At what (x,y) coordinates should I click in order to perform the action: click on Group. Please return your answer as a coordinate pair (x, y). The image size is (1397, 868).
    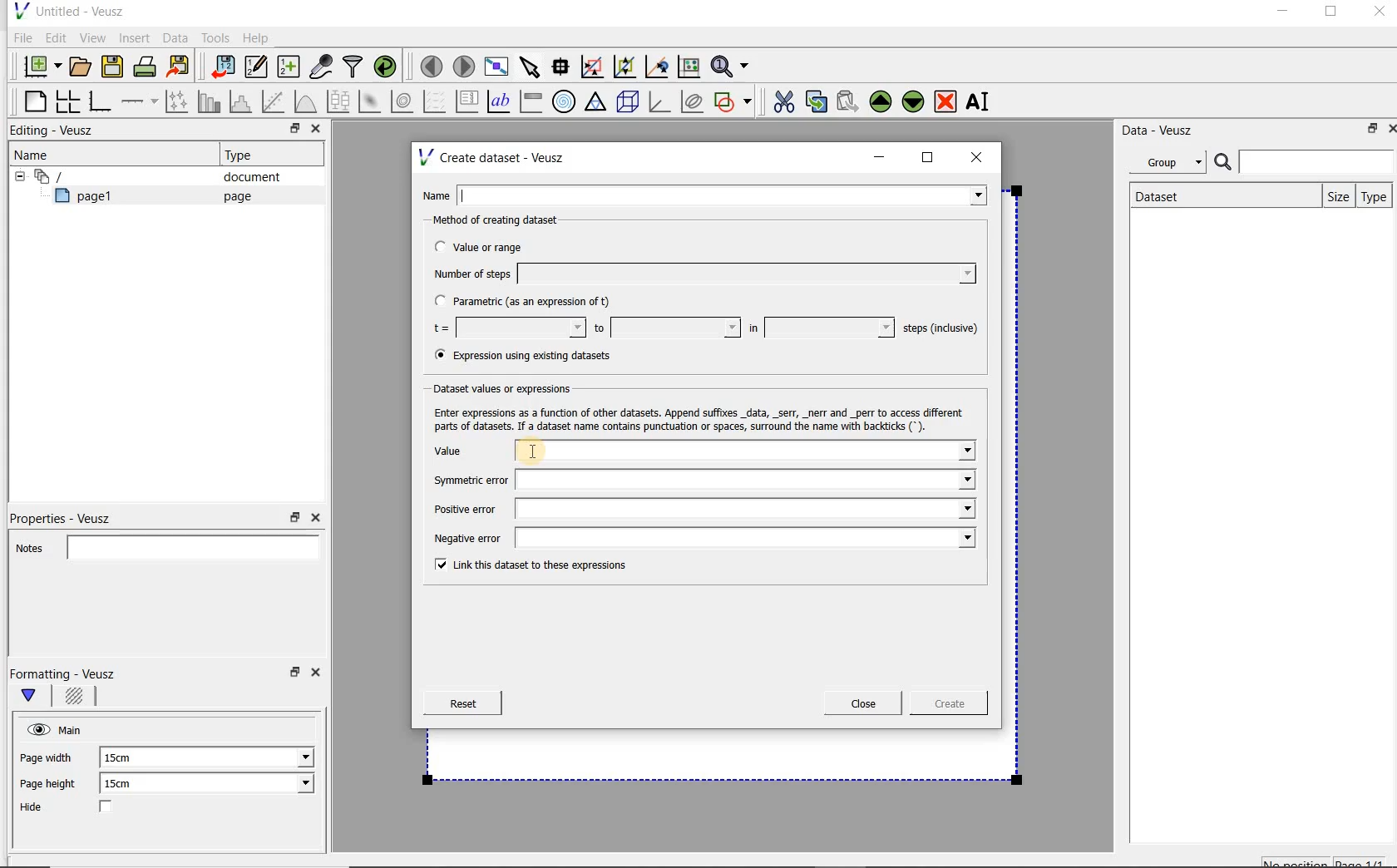
    Looking at the image, I should click on (1172, 165).